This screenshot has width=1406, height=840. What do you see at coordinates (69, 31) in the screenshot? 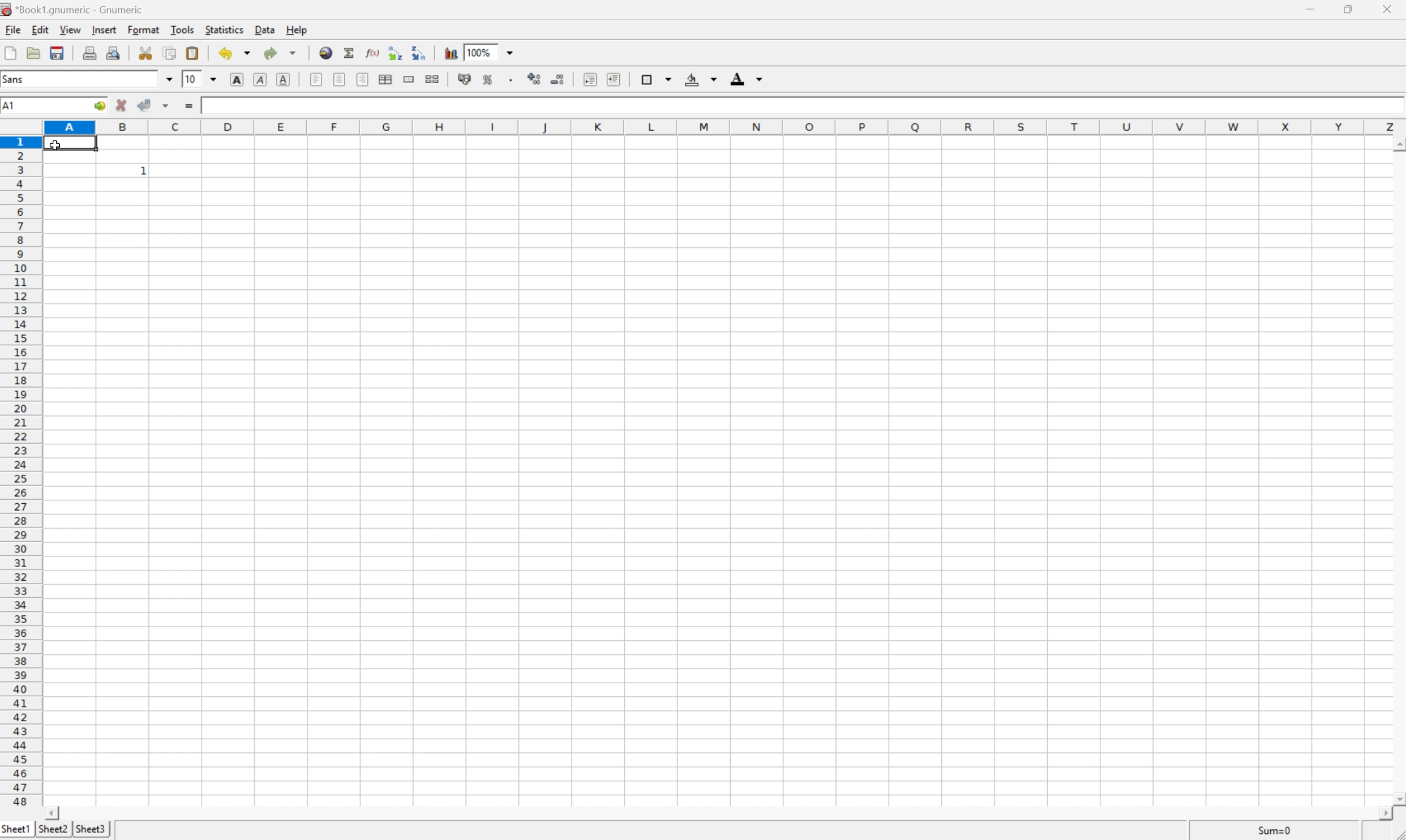
I see `view` at bounding box center [69, 31].